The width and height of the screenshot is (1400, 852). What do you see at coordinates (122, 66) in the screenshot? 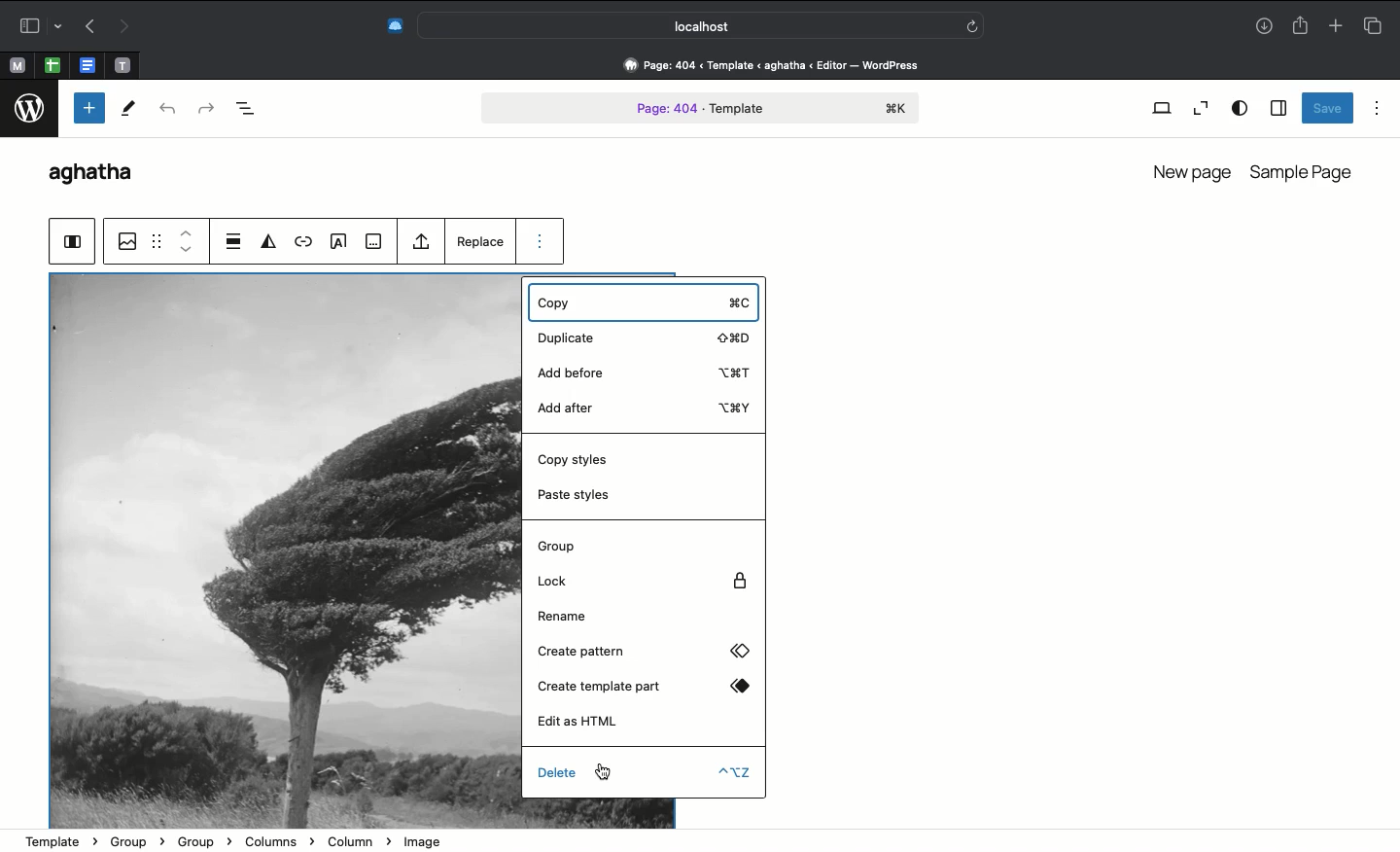
I see `open tab` at bounding box center [122, 66].